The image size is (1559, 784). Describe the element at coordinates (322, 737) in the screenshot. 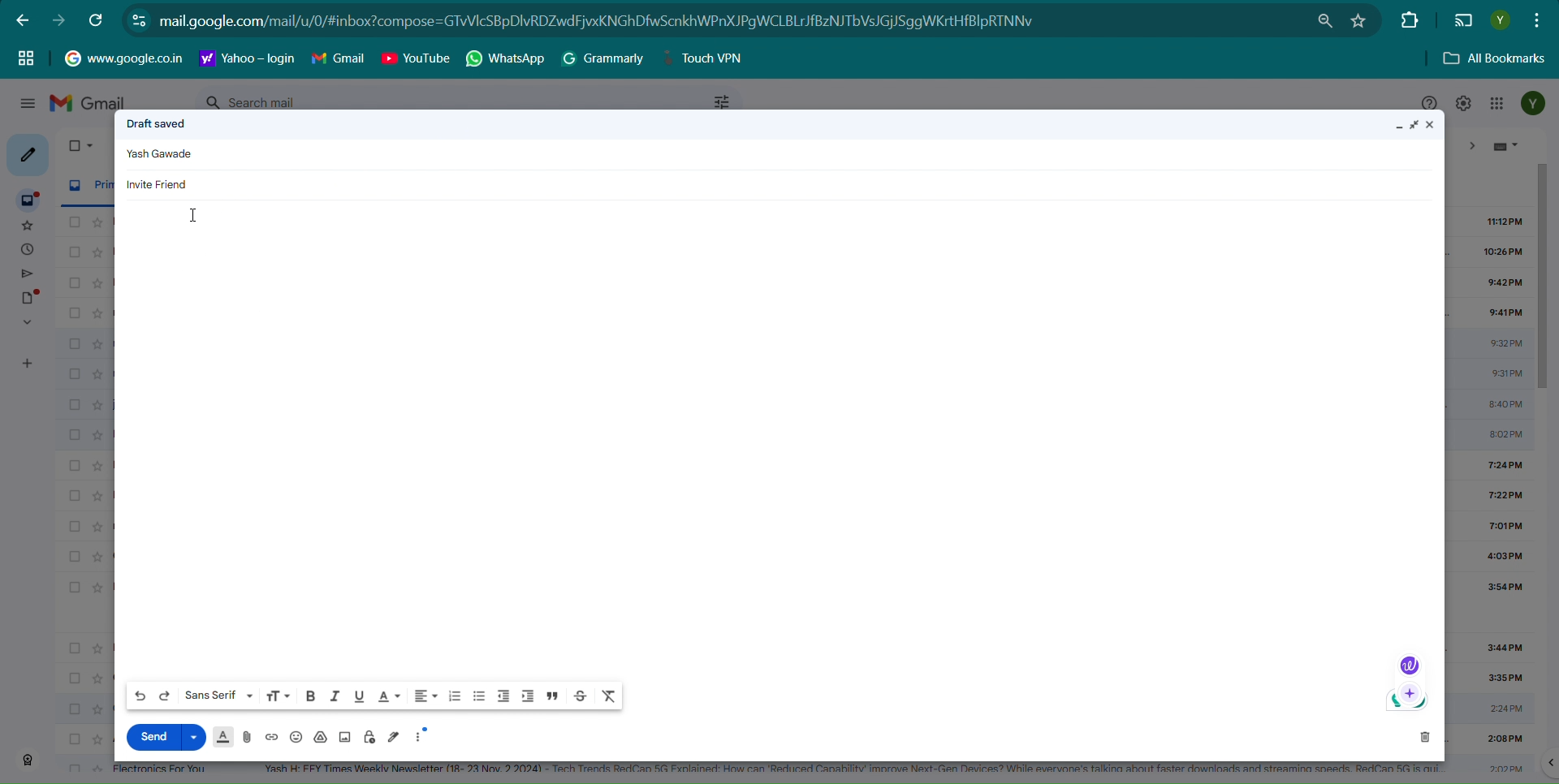

I see `Insert file using drive` at that location.